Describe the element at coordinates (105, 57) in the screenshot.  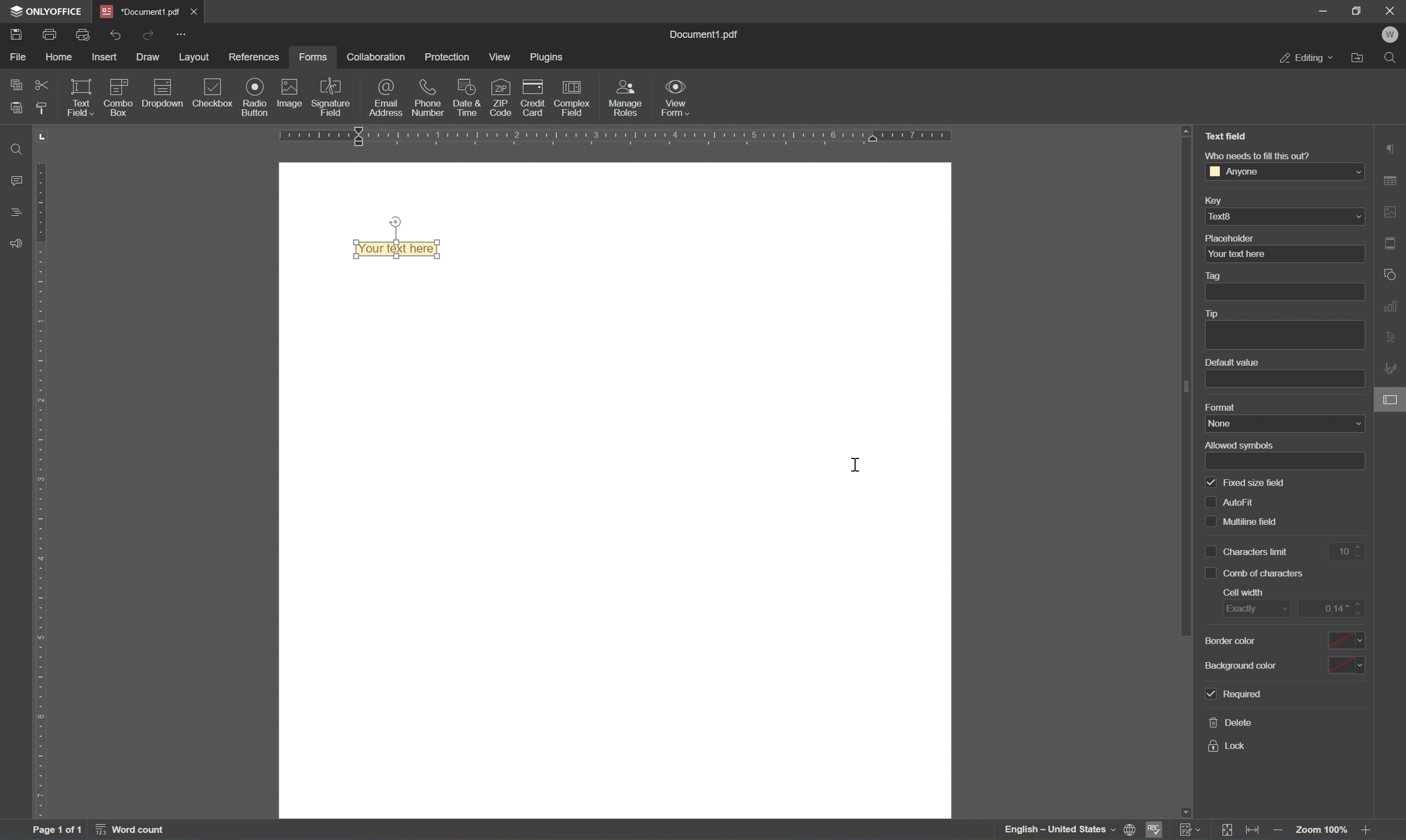
I see `insert` at that location.